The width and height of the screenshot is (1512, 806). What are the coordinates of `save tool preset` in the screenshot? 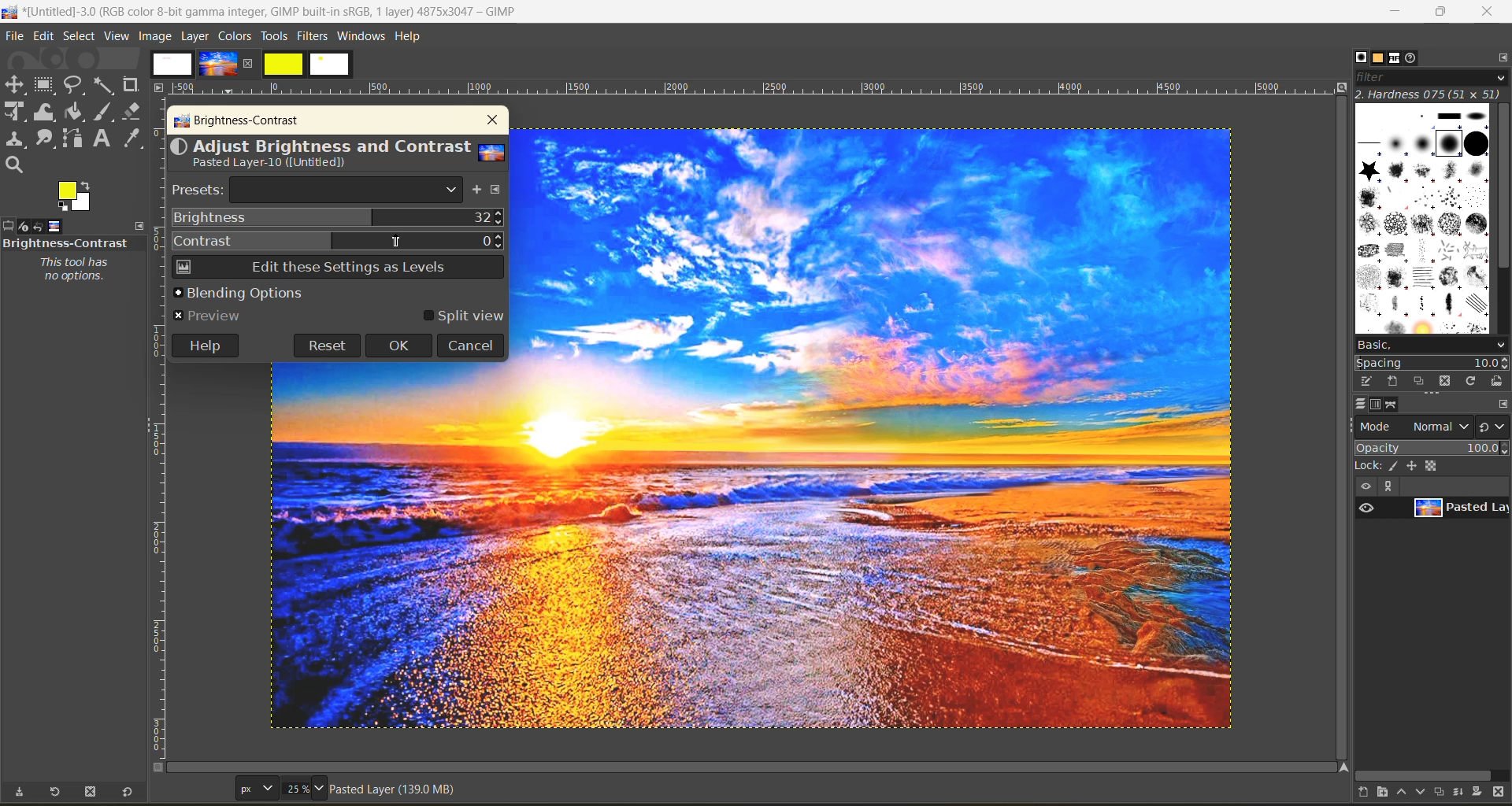 It's located at (19, 792).